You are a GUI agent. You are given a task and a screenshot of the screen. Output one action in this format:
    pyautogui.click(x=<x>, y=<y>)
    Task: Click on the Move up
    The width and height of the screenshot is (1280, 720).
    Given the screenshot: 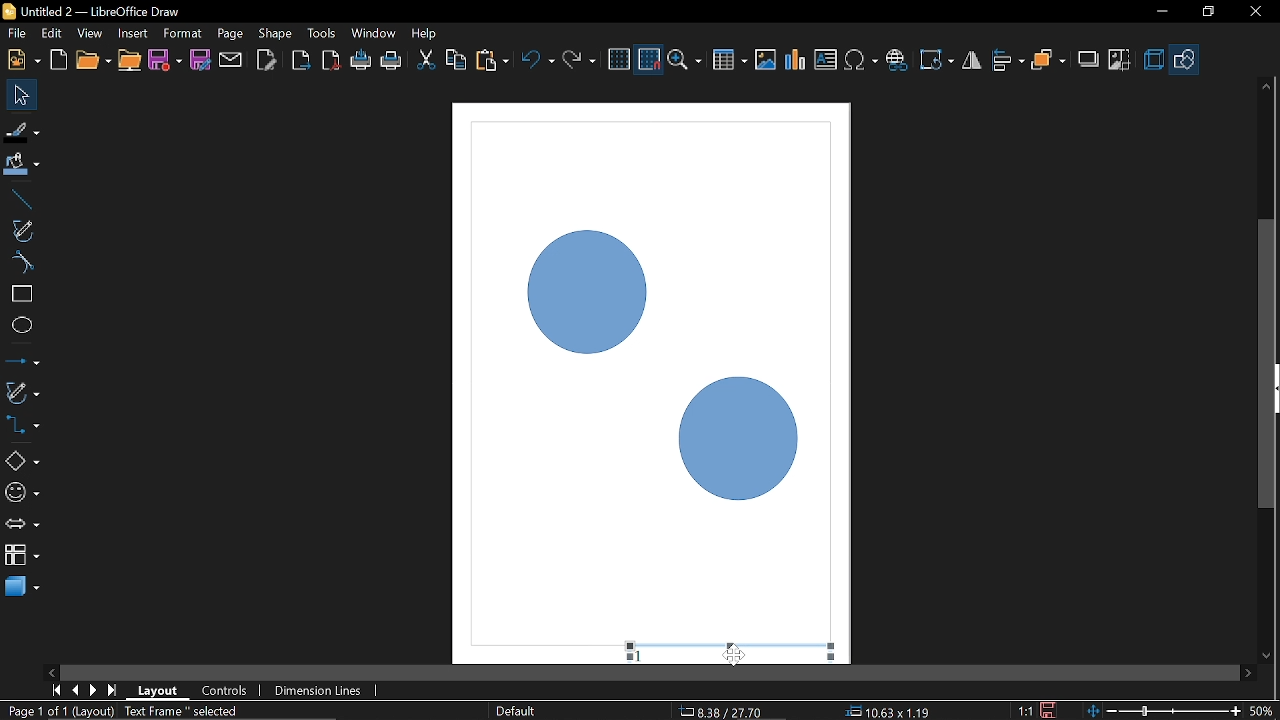 What is the action you would take?
    pyautogui.click(x=1266, y=86)
    